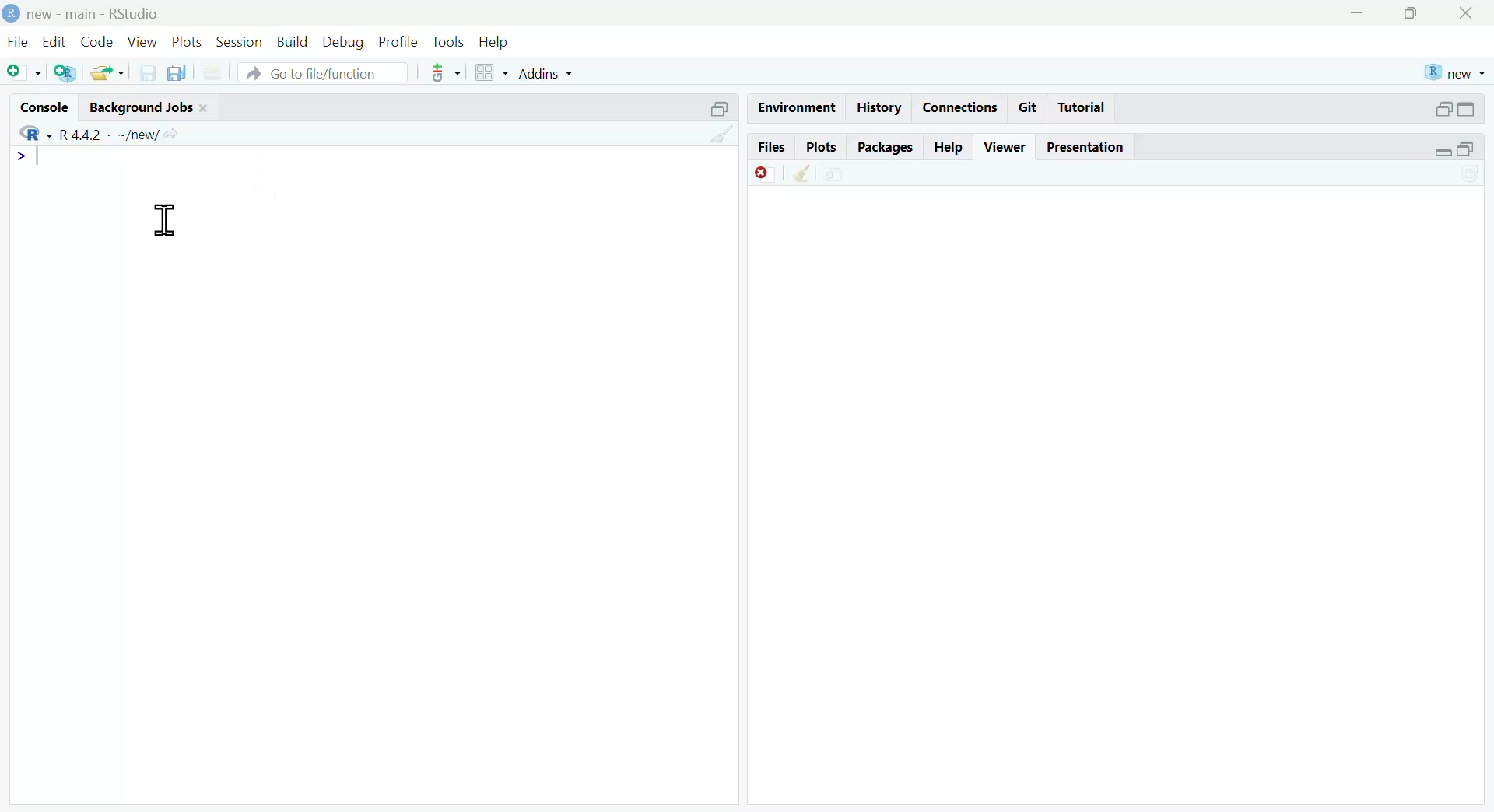 This screenshot has height=812, width=1494. Describe the element at coordinates (801, 177) in the screenshot. I see `Remove all viewer item` at that location.